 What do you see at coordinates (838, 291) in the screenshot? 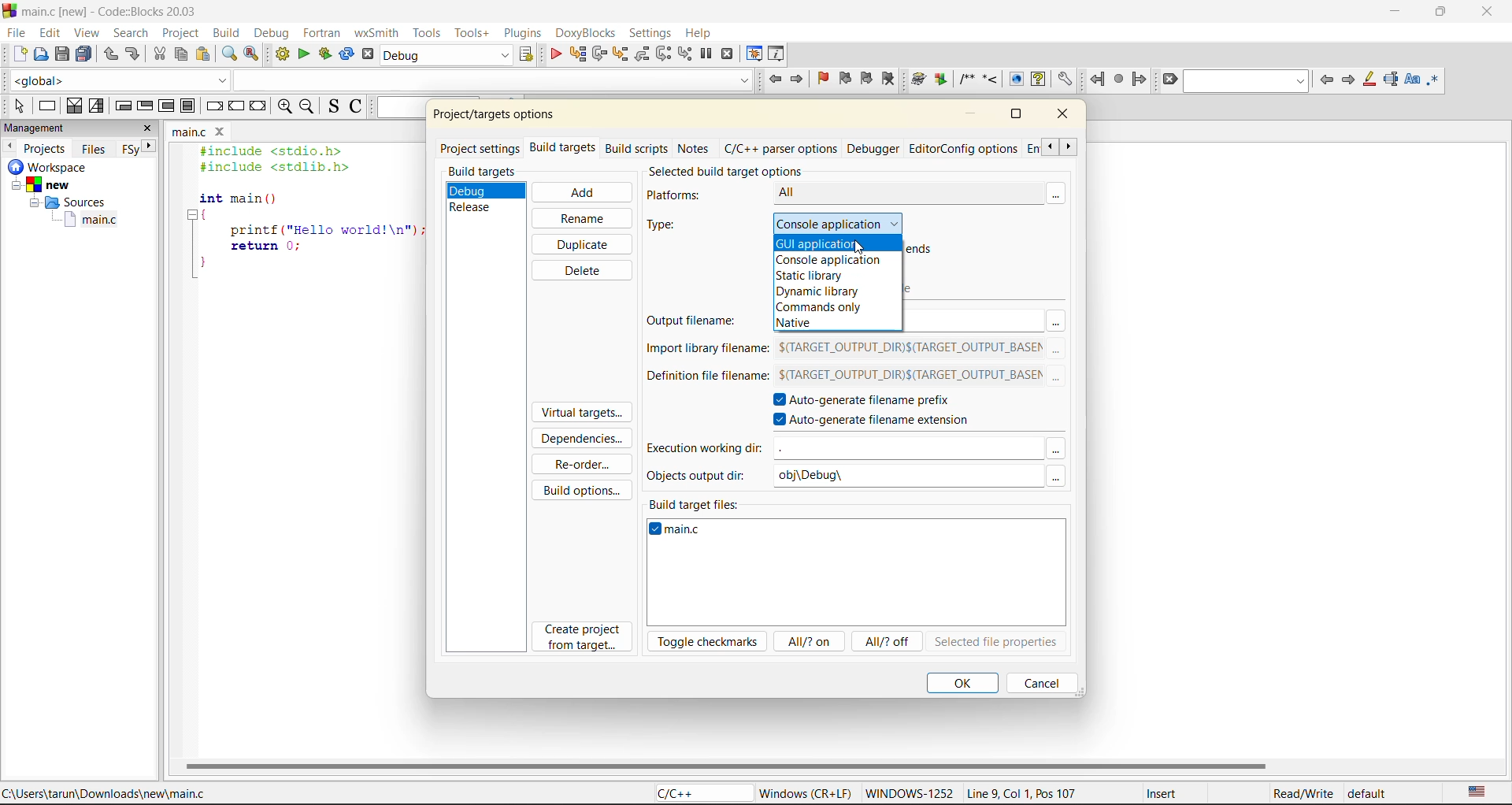
I see `dynamic library` at bounding box center [838, 291].